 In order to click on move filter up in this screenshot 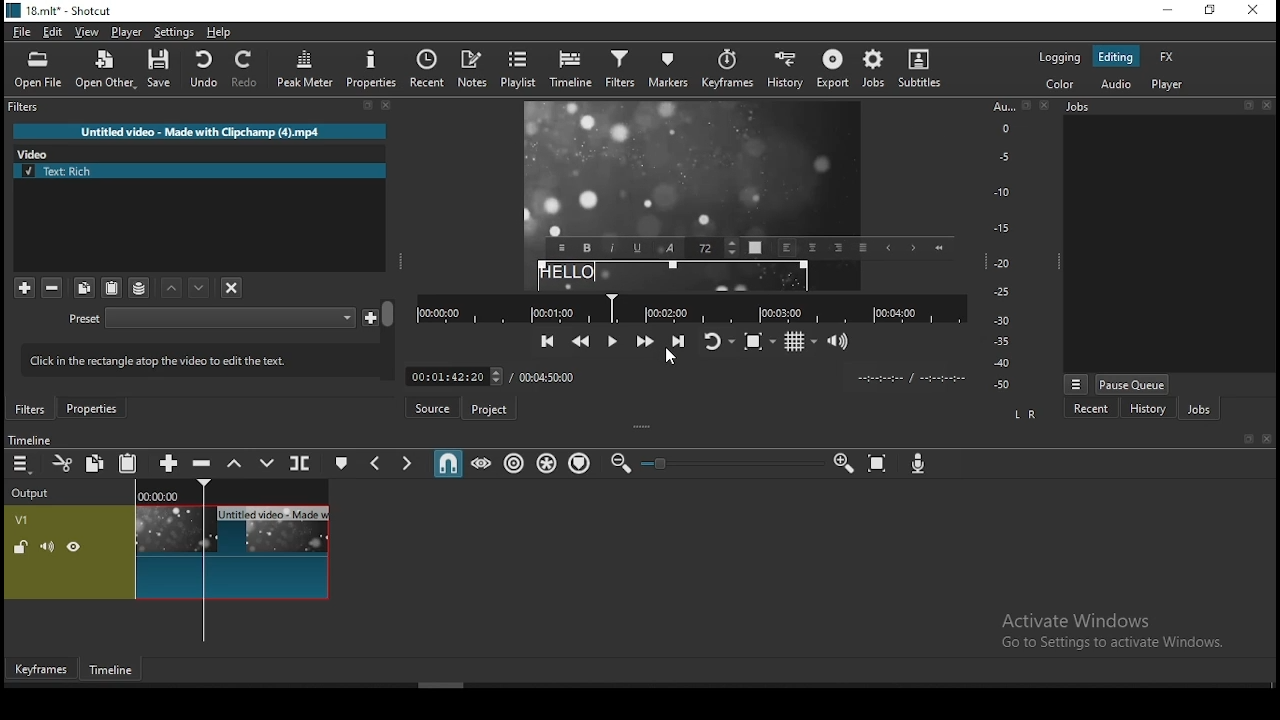, I will do `click(201, 287)`.